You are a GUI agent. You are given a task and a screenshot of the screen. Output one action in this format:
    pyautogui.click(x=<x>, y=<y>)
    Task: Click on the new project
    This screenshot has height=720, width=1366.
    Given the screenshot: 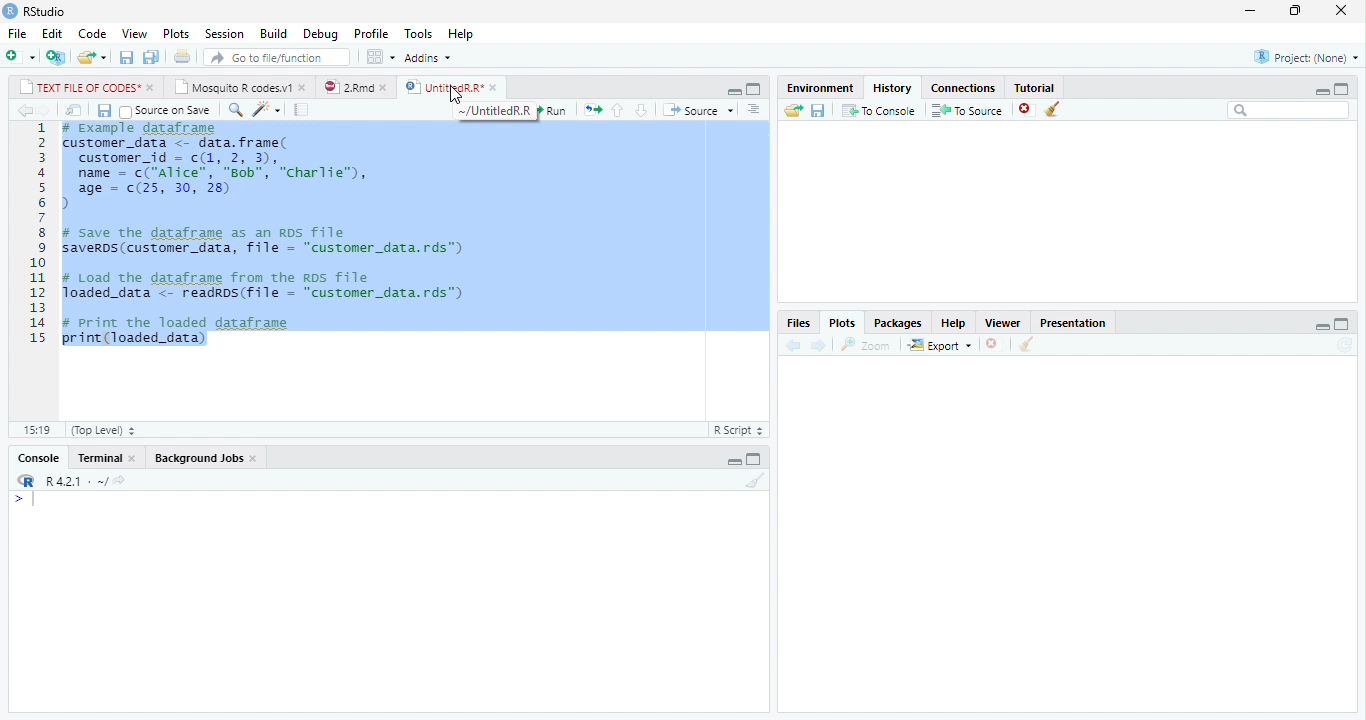 What is the action you would take?
    pyautogui.click(x=57, y=57)
    